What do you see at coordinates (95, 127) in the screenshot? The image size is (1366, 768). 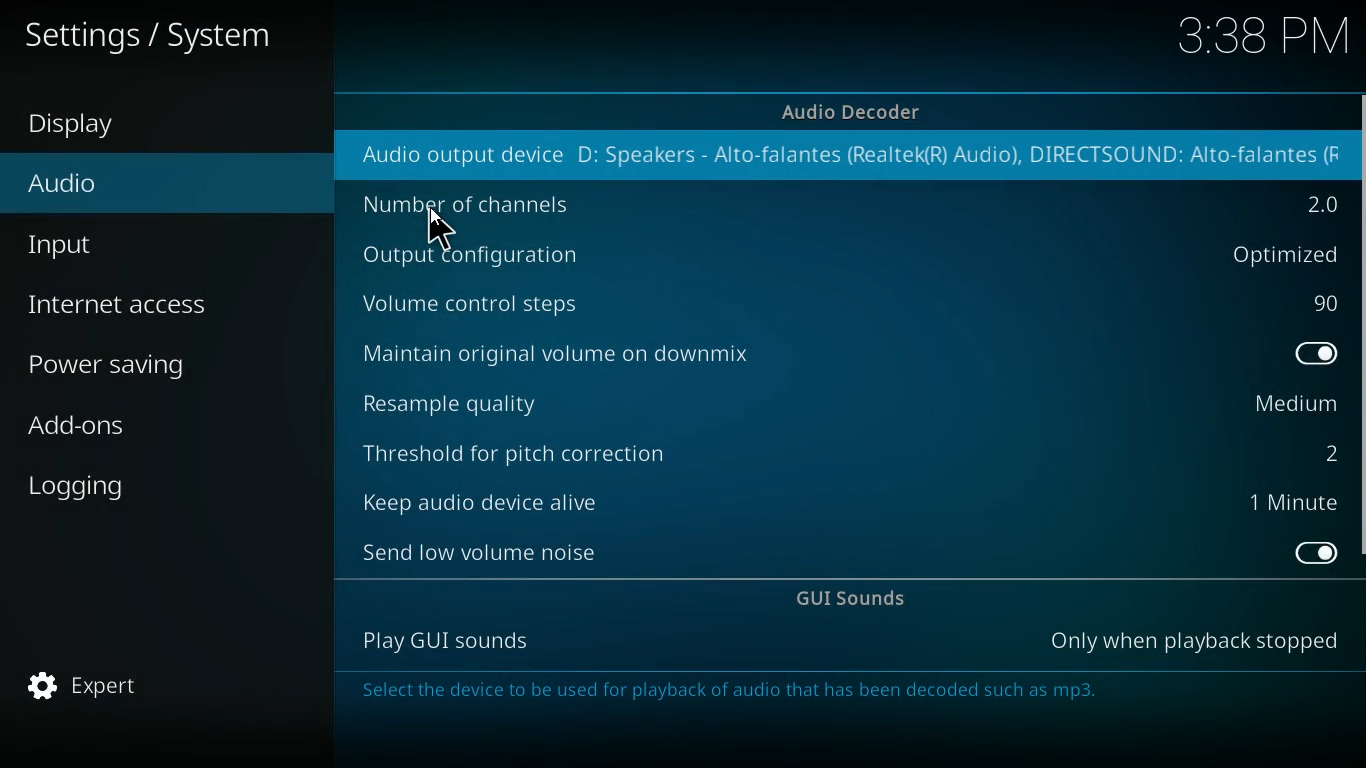 I see `display` at bounding box center [95, 127].